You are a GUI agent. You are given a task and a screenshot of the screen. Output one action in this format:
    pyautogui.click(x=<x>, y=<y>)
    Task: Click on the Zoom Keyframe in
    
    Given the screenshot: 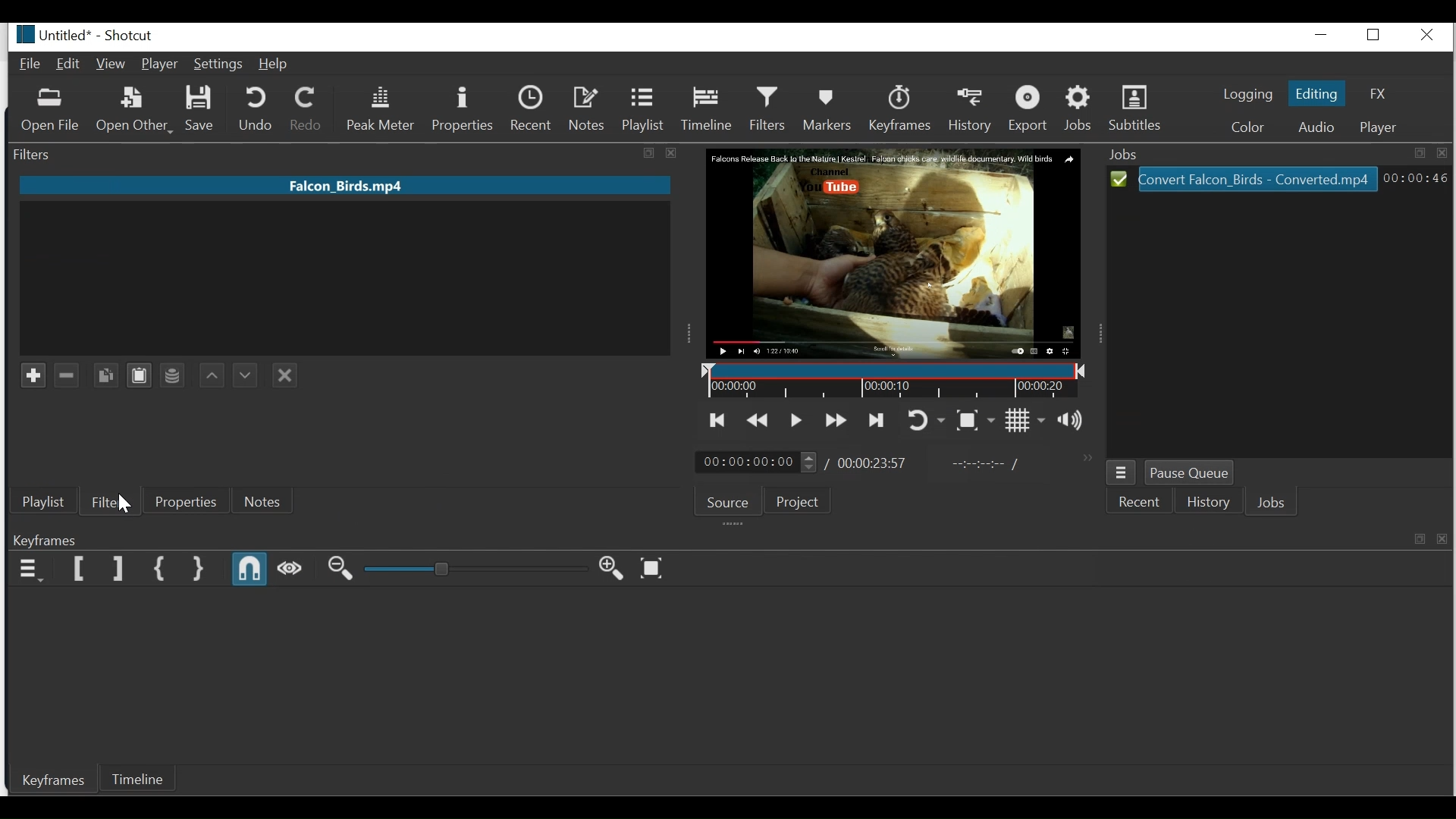 What is the action you would take?
    pyautogui.click(x=615, y=567)
    